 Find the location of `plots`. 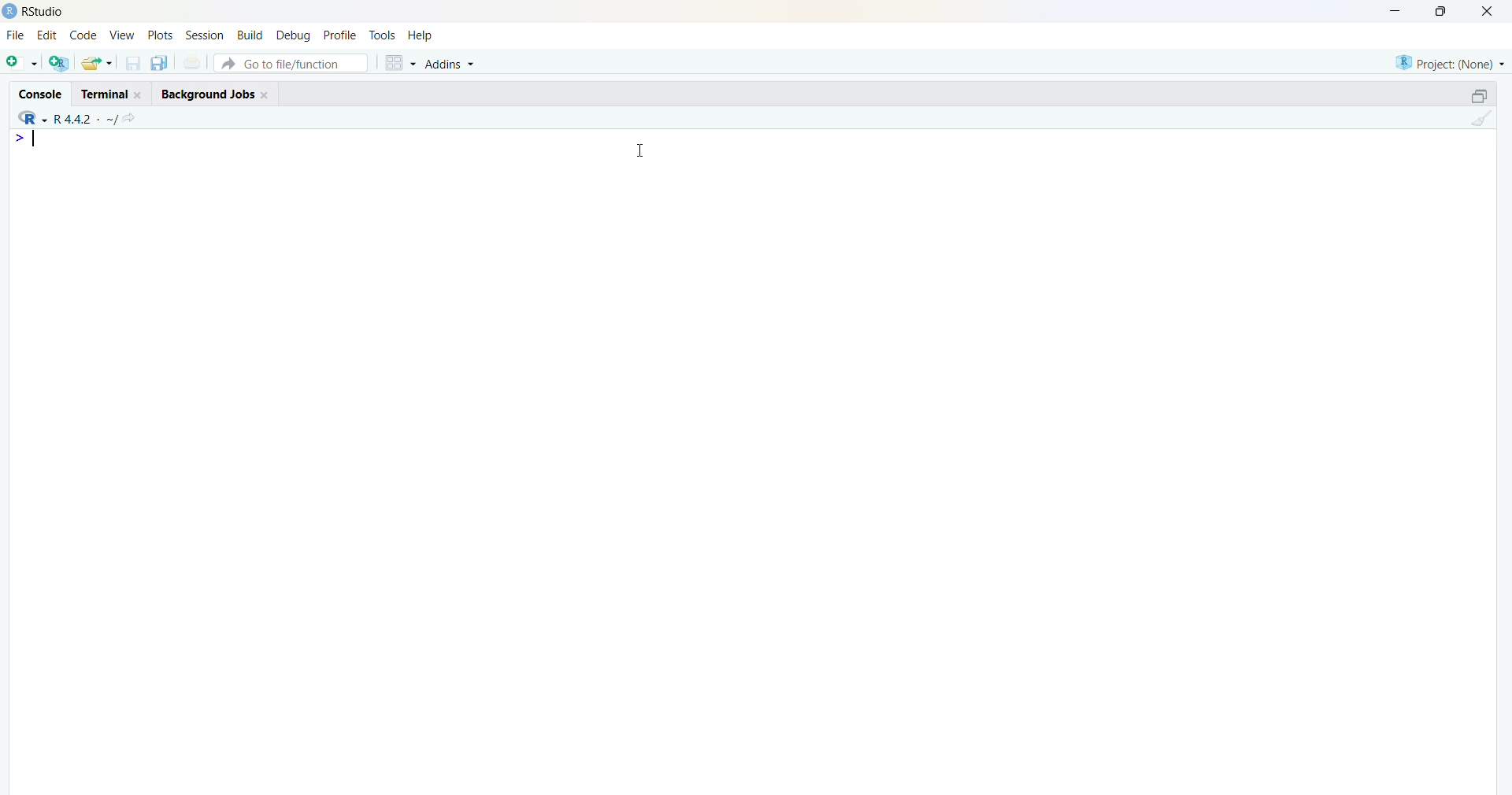

plots is located at coordinates (162, 35).